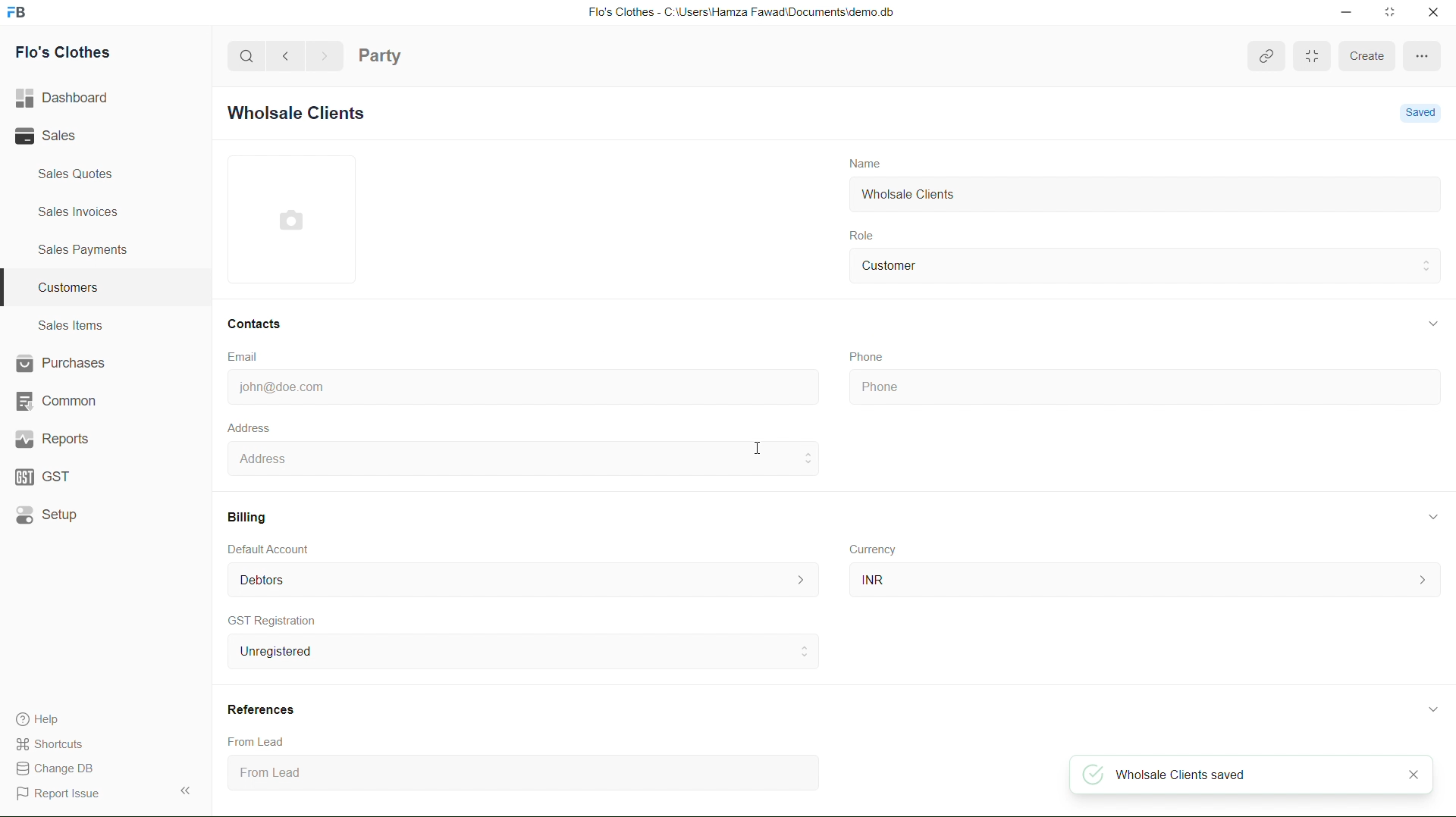  I want to click on Contacts, so click(259, 324).